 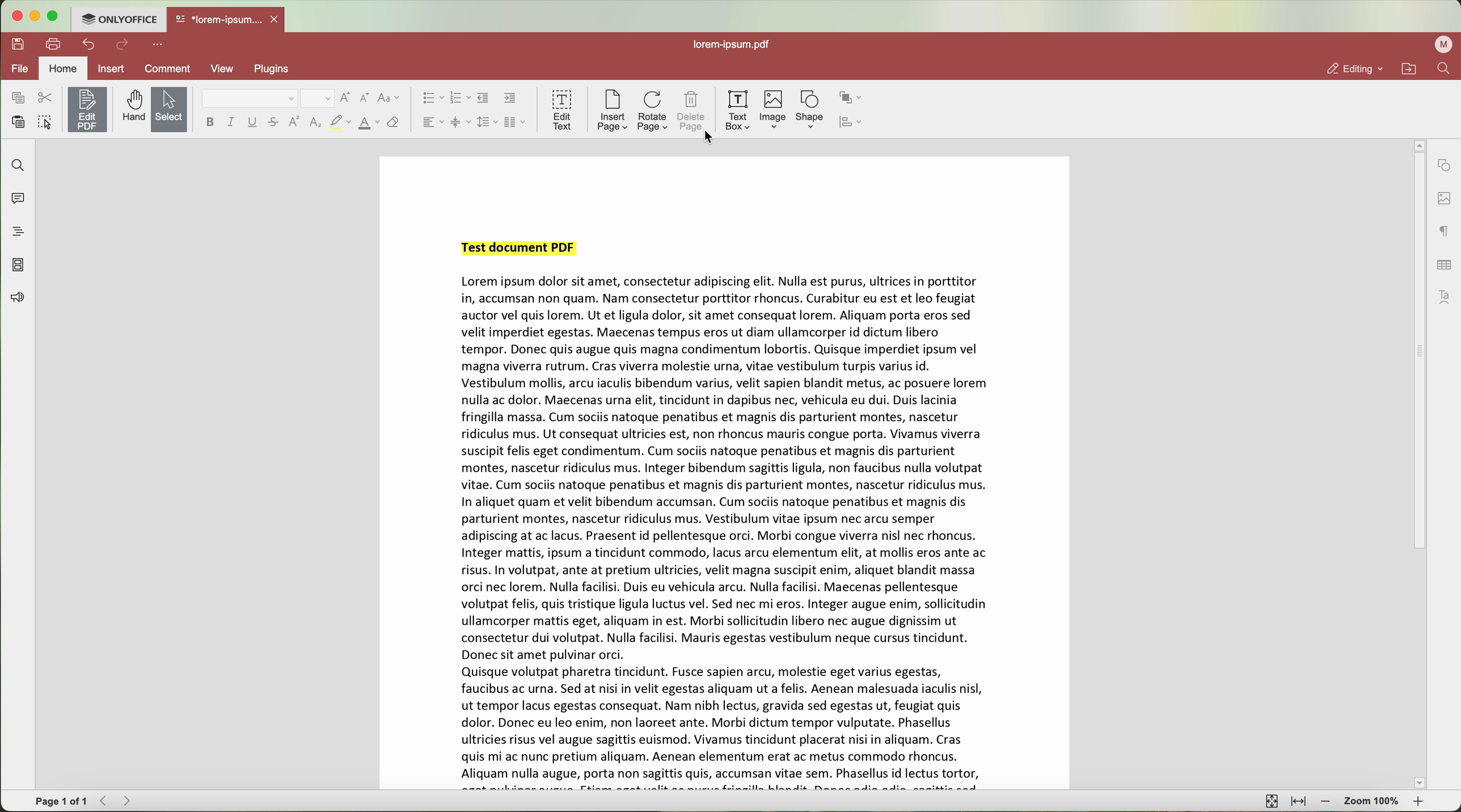 What do you see at coordinates (851, 98) in the screenshot?
I see `arrange shape` at bounding box center [851, 98].